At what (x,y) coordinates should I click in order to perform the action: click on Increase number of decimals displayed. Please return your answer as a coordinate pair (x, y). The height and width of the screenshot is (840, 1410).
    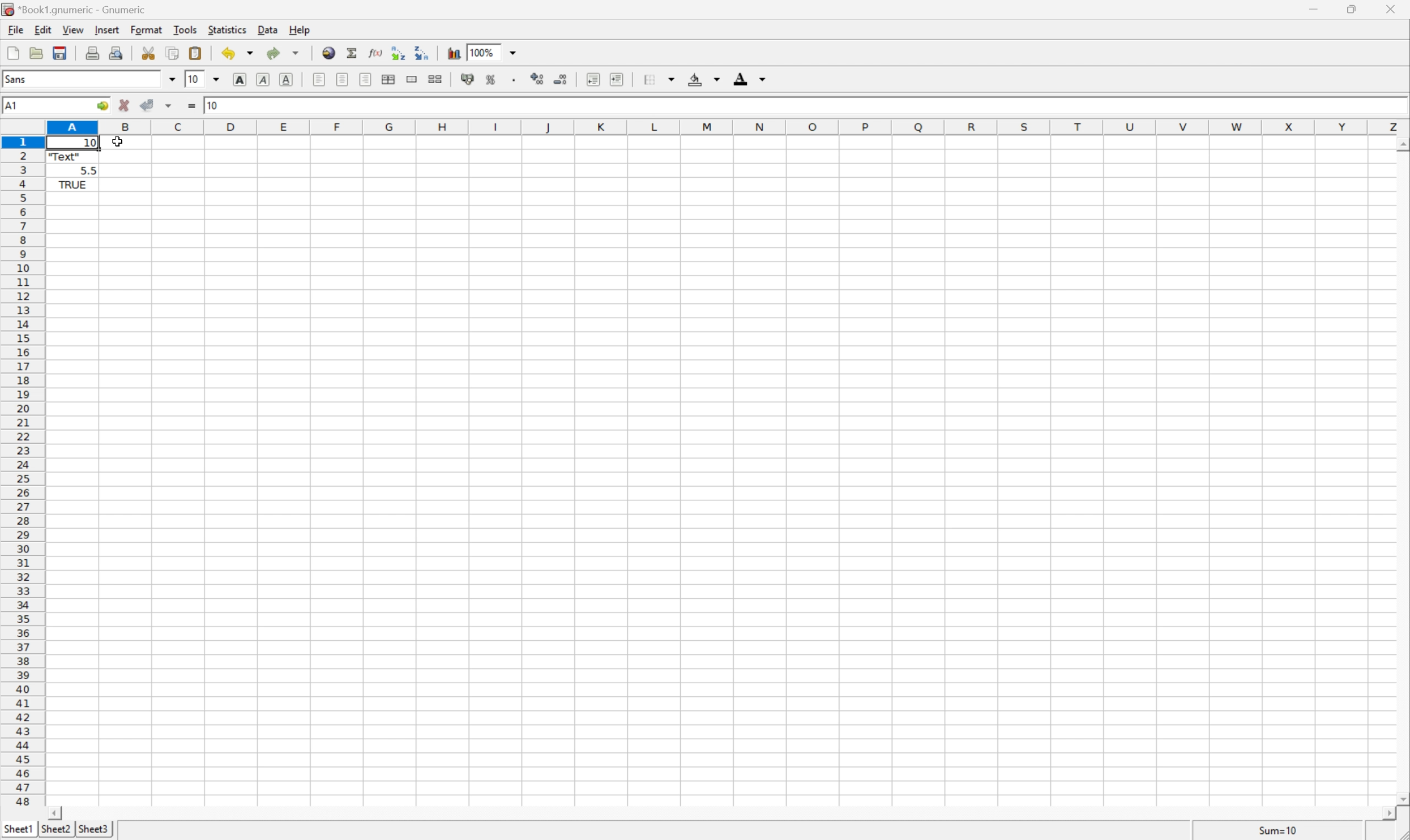
    Looking at the image, I should click on (538, 79).